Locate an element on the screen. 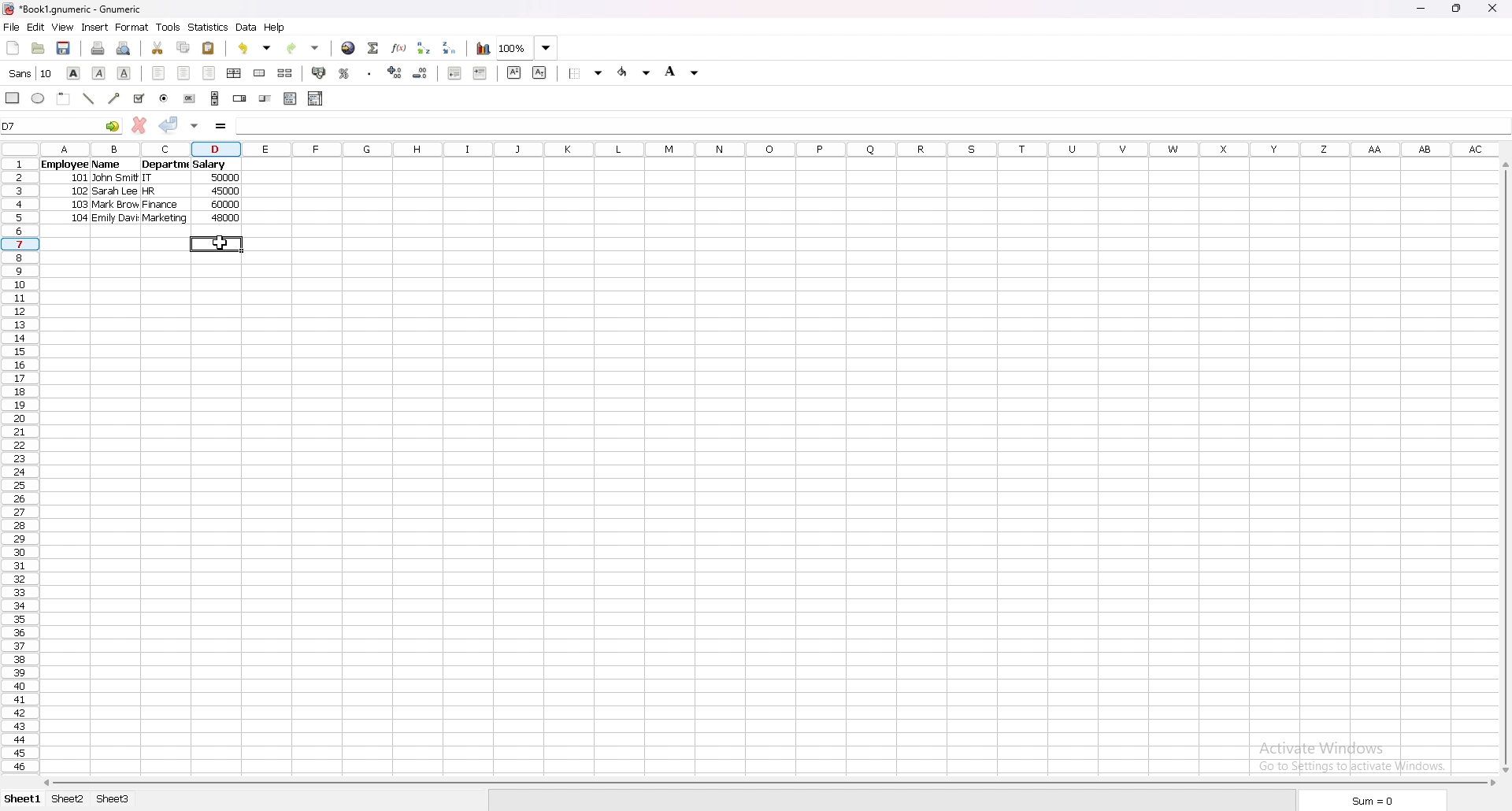  scroll bar is located at coordinates (1503, 467).